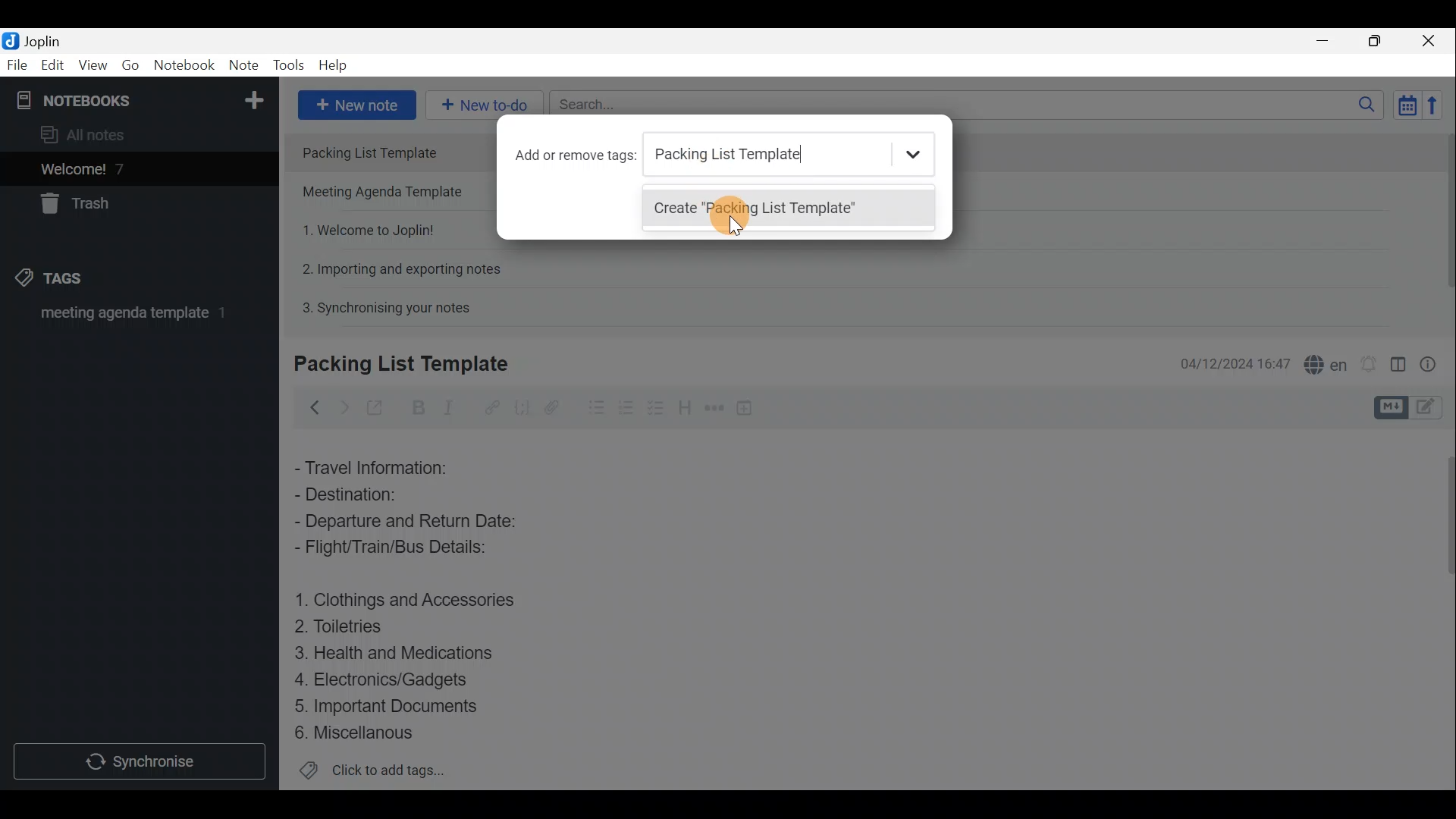  What do you see at coordinates (552, 406) in the screenshot?
I see `Attach file` at bounding box center [552, 406].